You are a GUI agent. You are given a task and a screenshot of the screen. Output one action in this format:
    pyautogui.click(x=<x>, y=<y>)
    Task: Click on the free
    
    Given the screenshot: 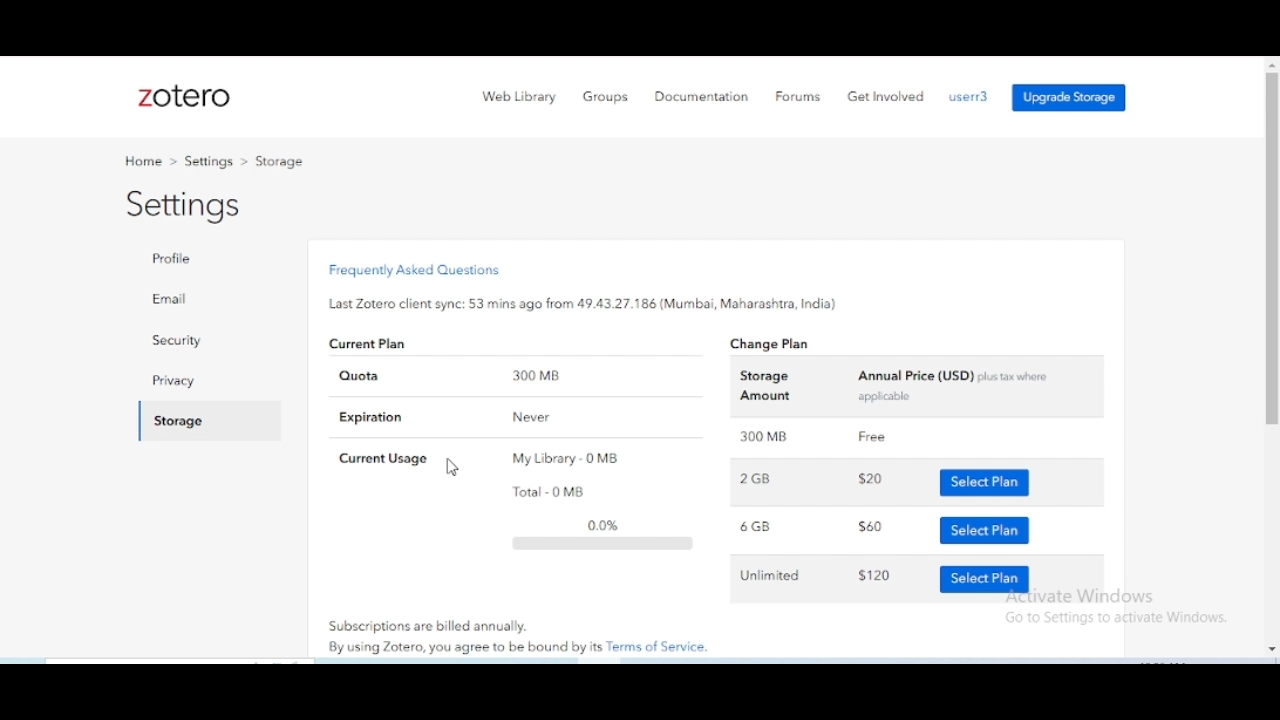 What is the action you would take?
    pyautogui.click(x=874, y=437)
    